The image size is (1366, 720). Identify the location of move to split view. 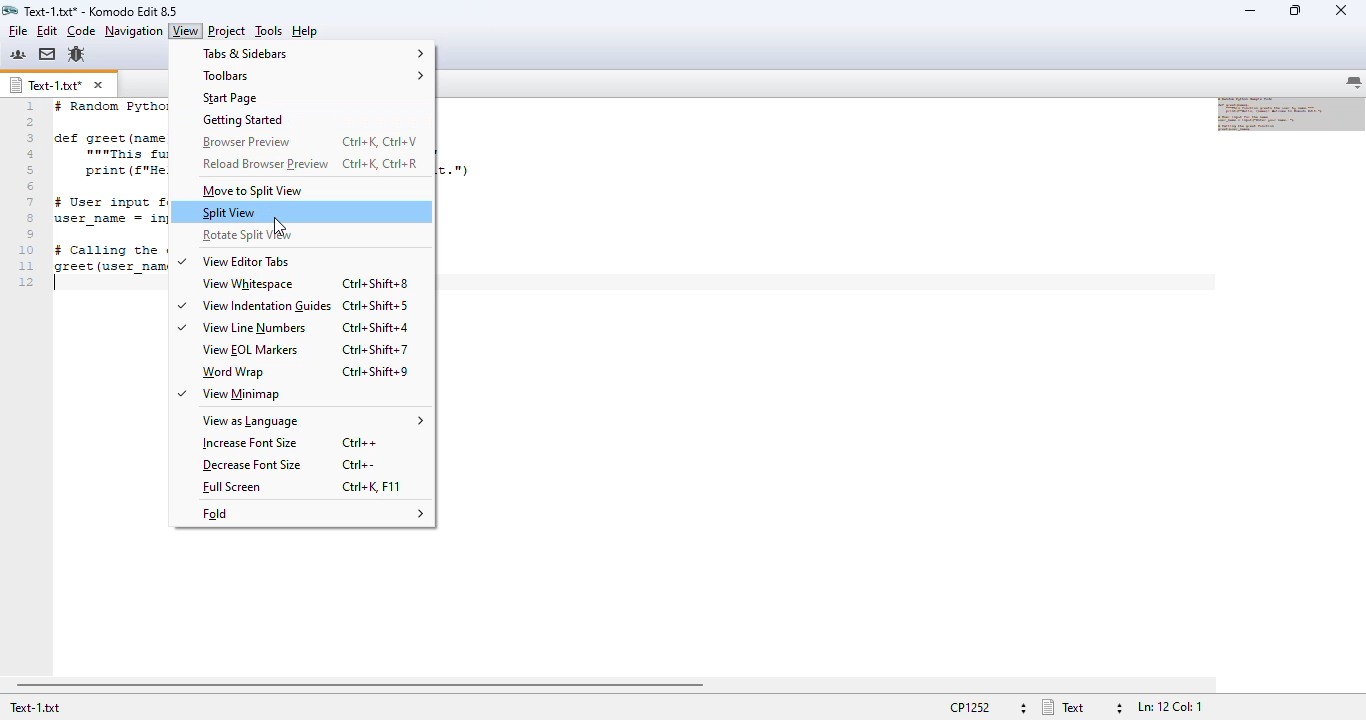
(254, 191).